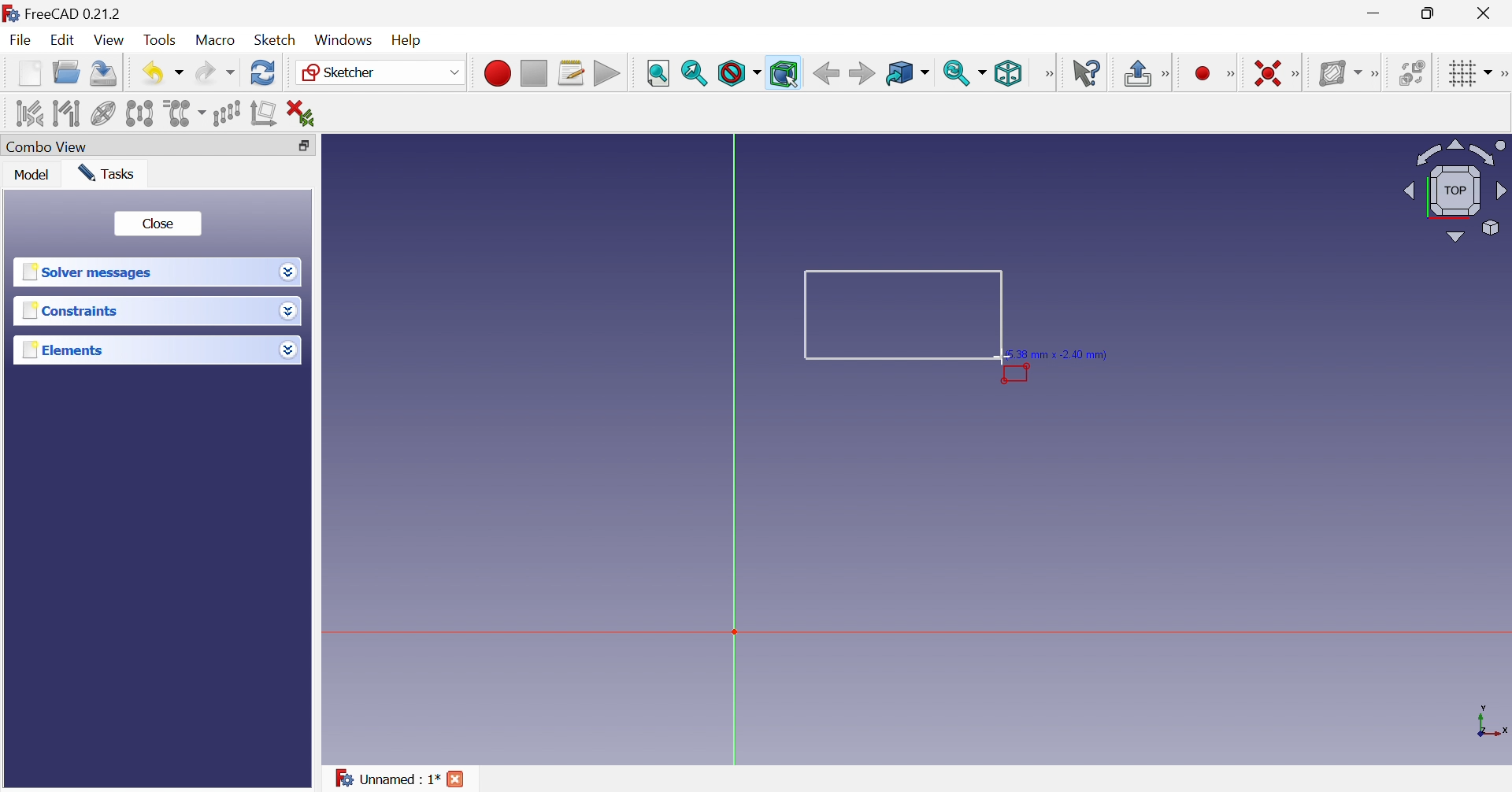 The height and width of the screenshot is (792, 1512). Describe the element at coordinates (903, 313) in the screenshot. I see `Rectangle` at that location.